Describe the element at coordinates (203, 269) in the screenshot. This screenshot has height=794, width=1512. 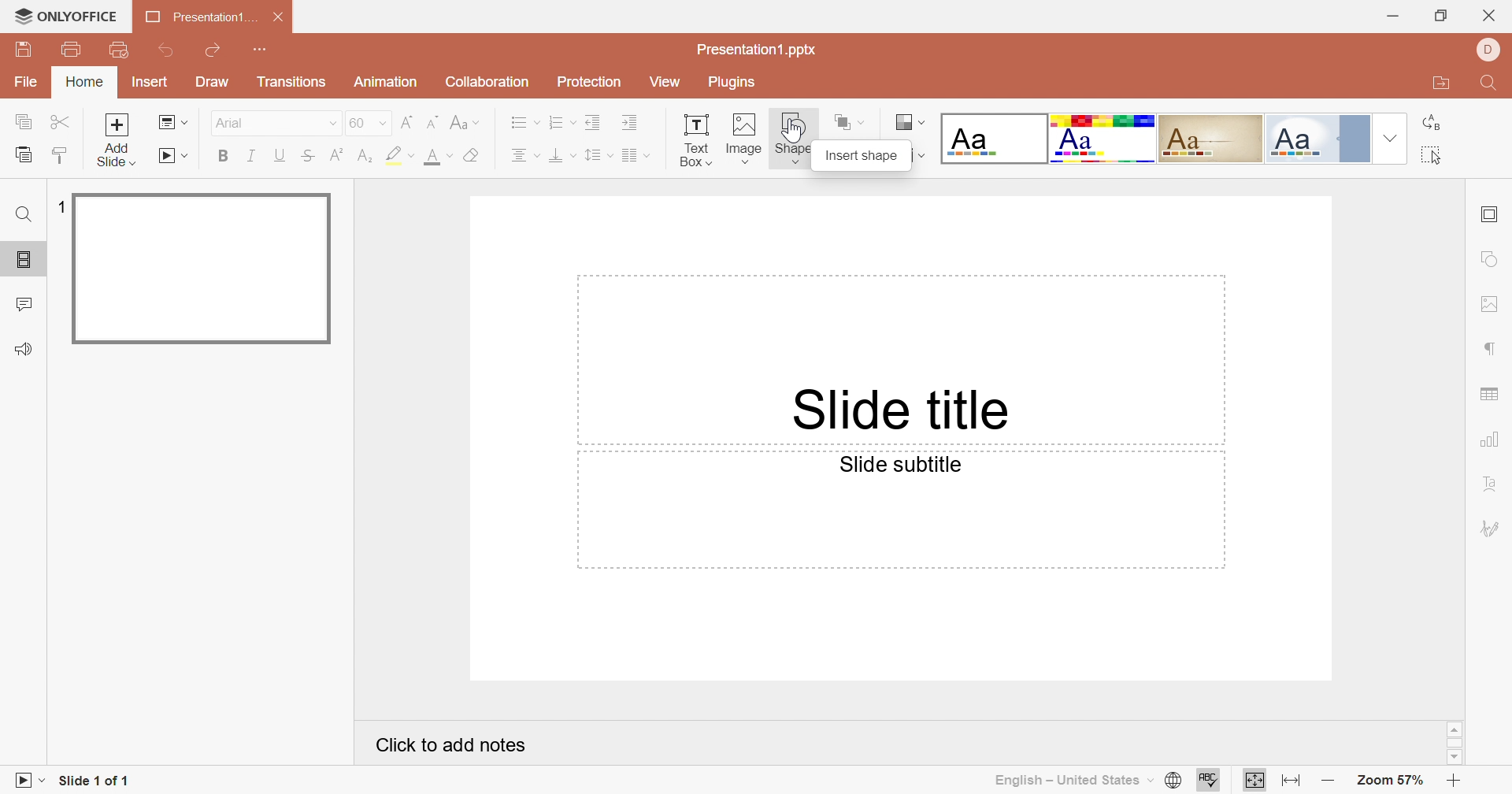
I see `Slide` at that location.